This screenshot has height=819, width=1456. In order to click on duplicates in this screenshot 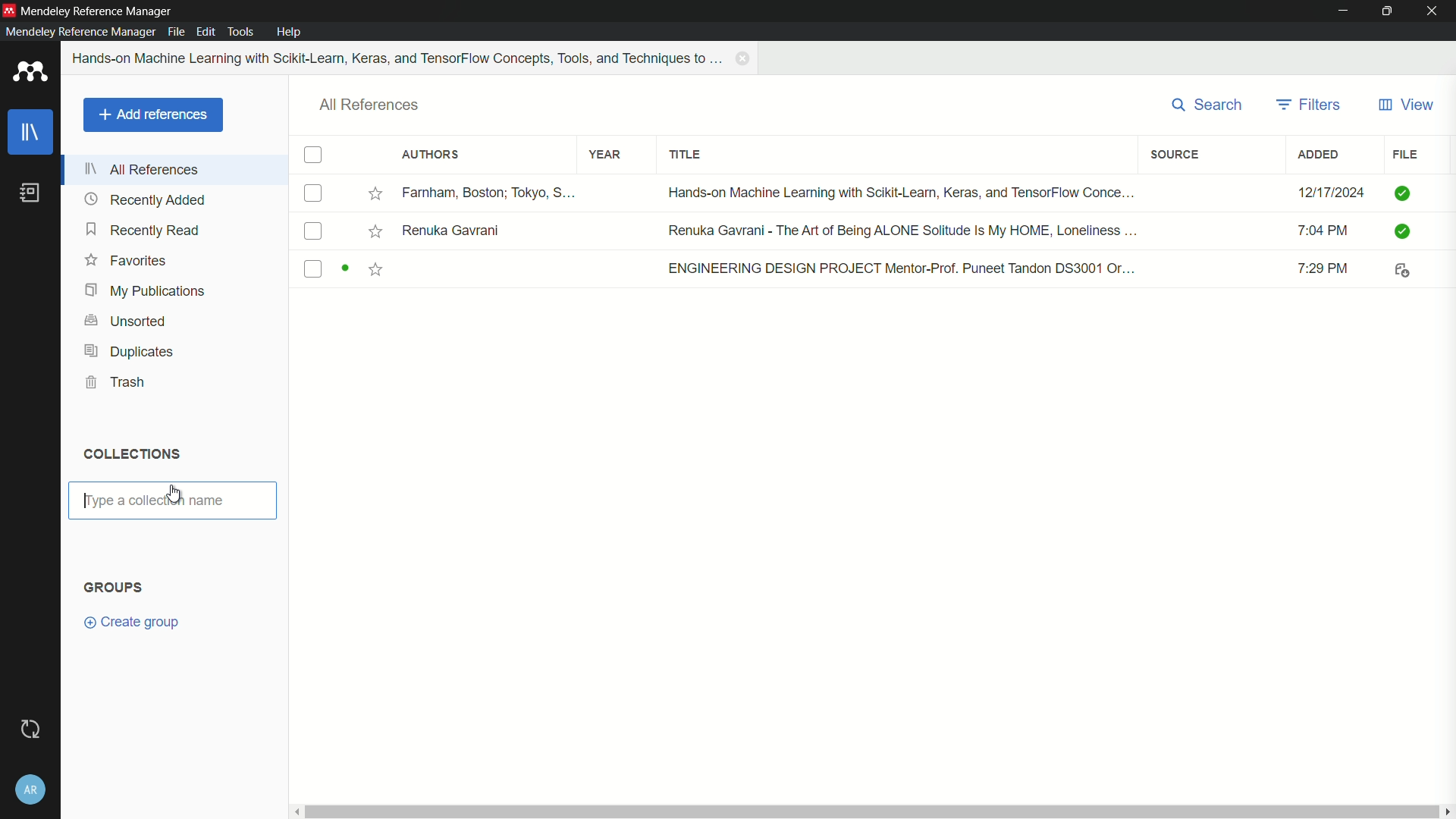, I will do `click(130, 351)`.